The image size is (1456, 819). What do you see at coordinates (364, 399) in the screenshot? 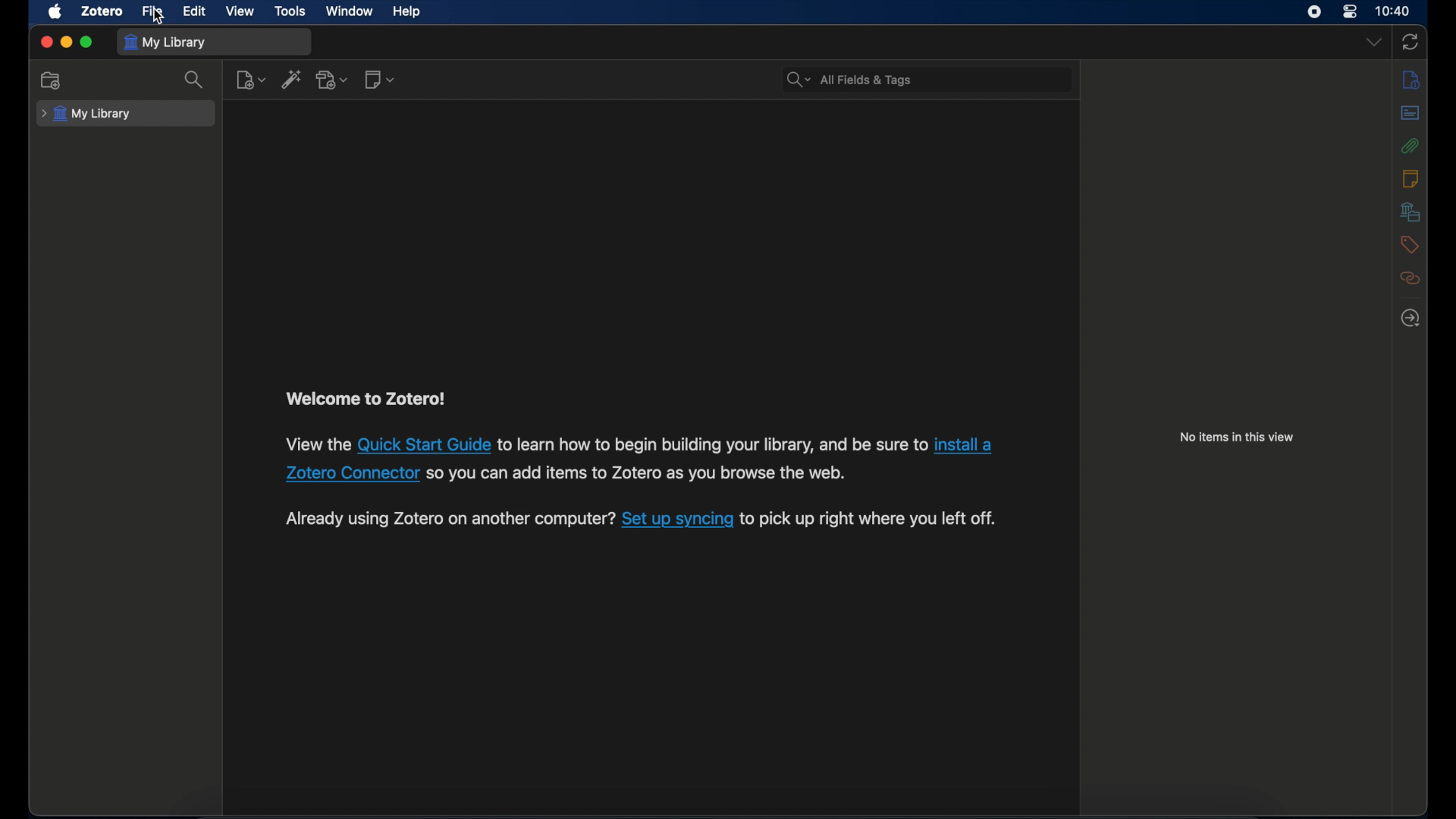
I see `welcome to zotero` at bounding box center [364, 399].